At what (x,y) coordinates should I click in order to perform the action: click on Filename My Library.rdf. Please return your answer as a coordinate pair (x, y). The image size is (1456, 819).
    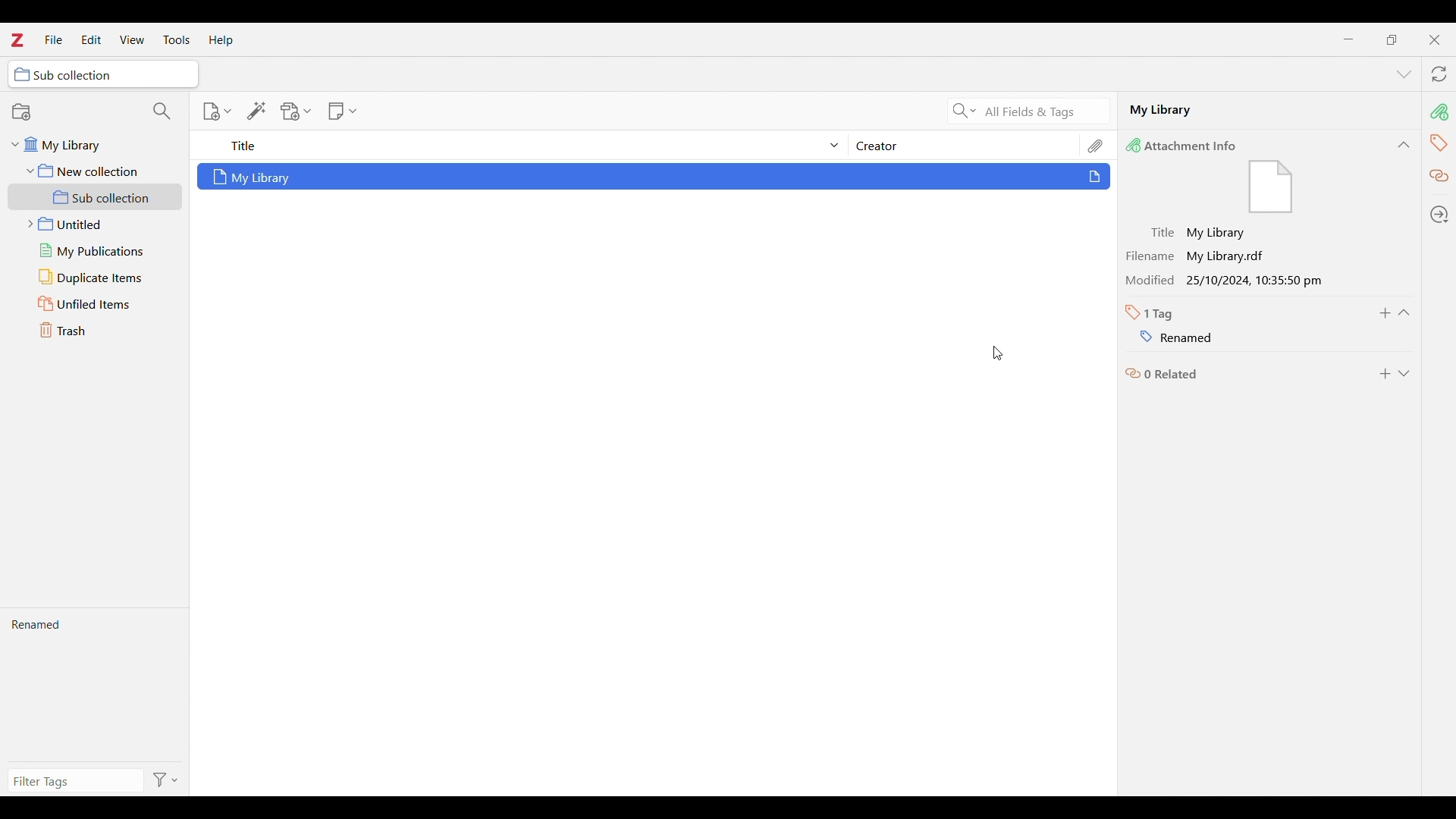
    Looking at the image, I should click on (1200, 256).